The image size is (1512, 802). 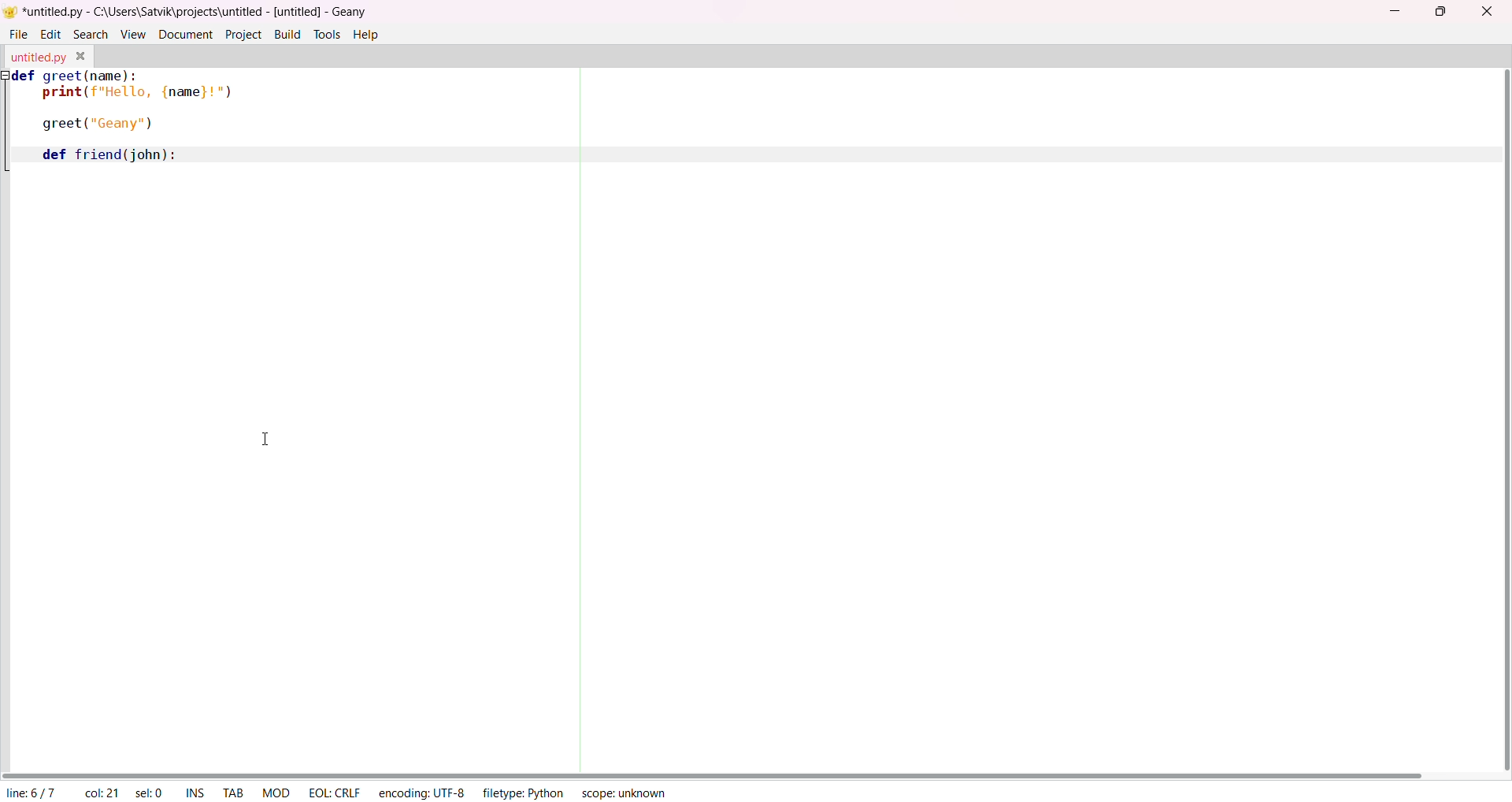 What do you see at coordinates (273, 791) in the screenshot?
I see `MOD` at bounding box center [273, 791].